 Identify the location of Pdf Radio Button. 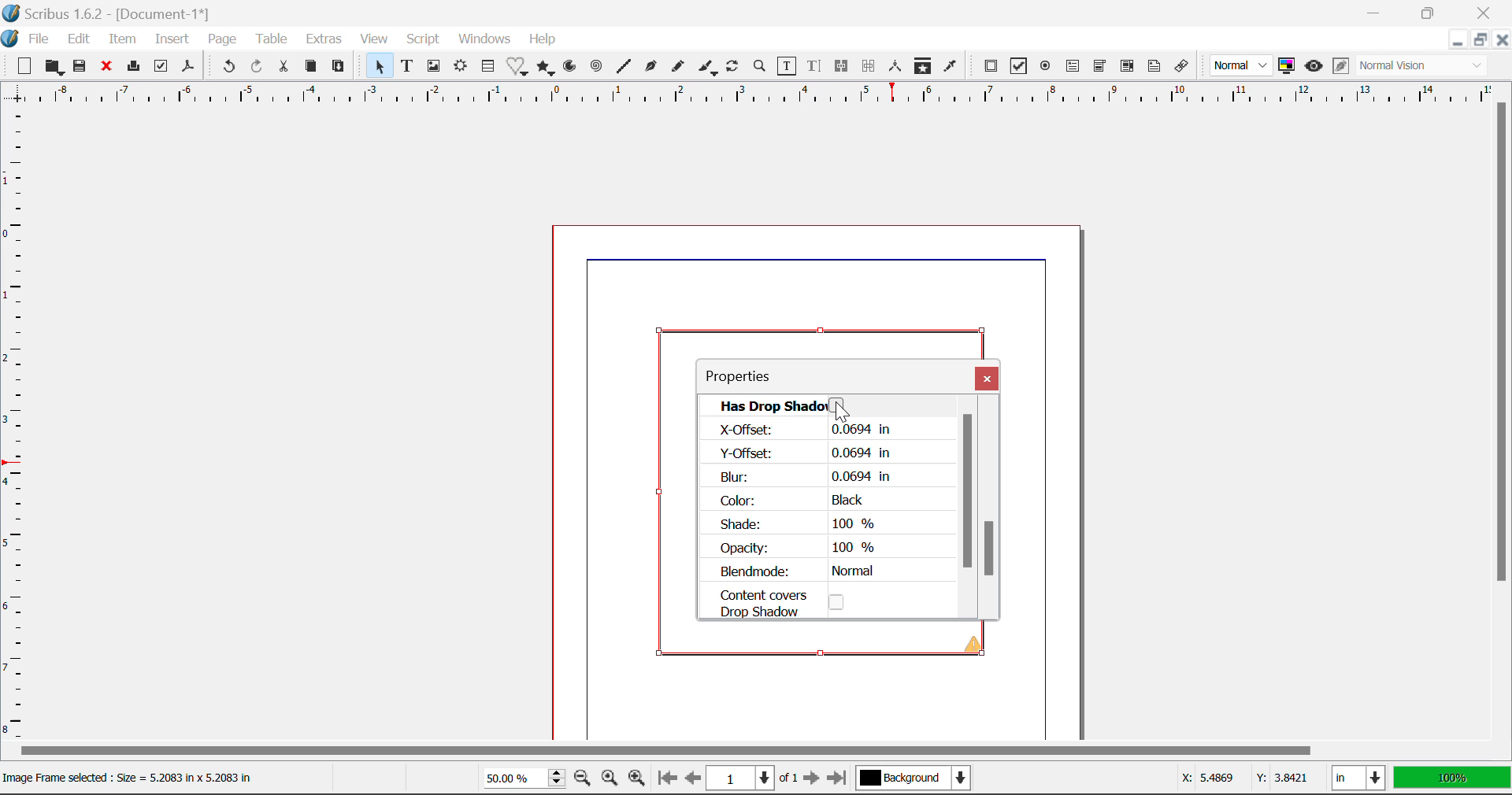
(1043, 68).